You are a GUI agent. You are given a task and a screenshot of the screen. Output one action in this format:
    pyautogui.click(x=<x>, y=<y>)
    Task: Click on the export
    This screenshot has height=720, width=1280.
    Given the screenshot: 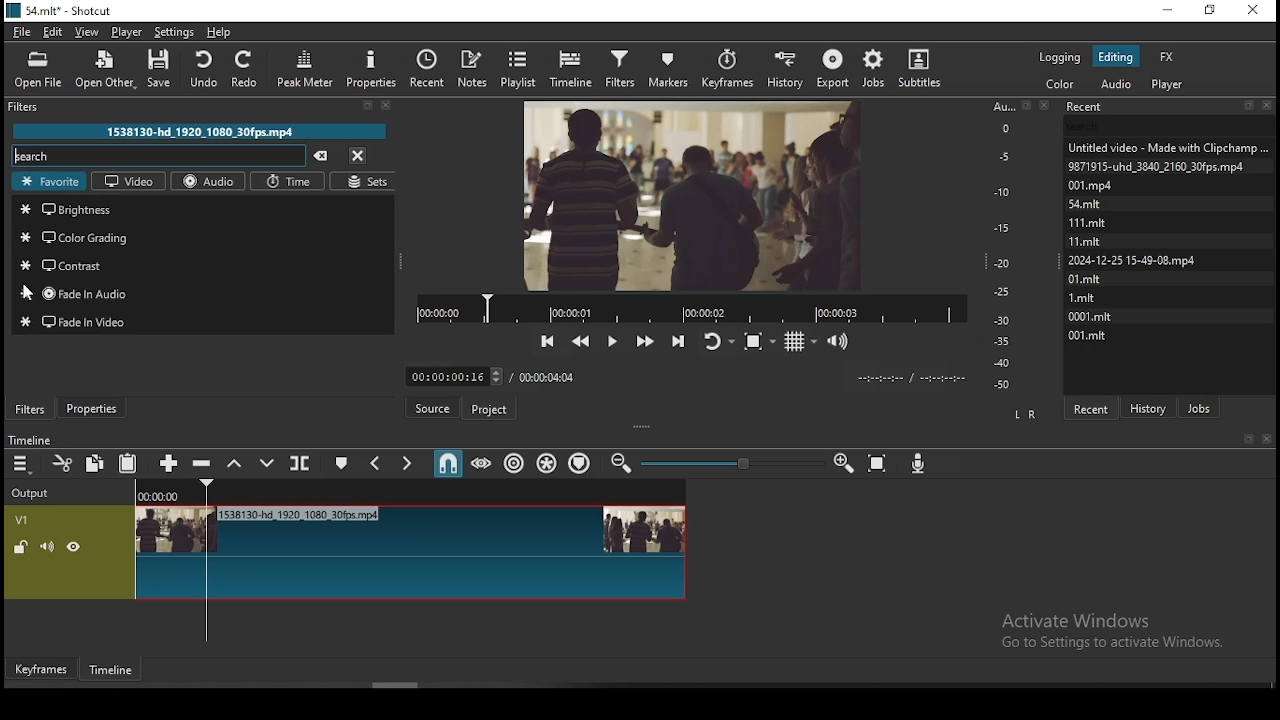 What is the action you would take?
    pyautogui.click(x=832, y=69)
    